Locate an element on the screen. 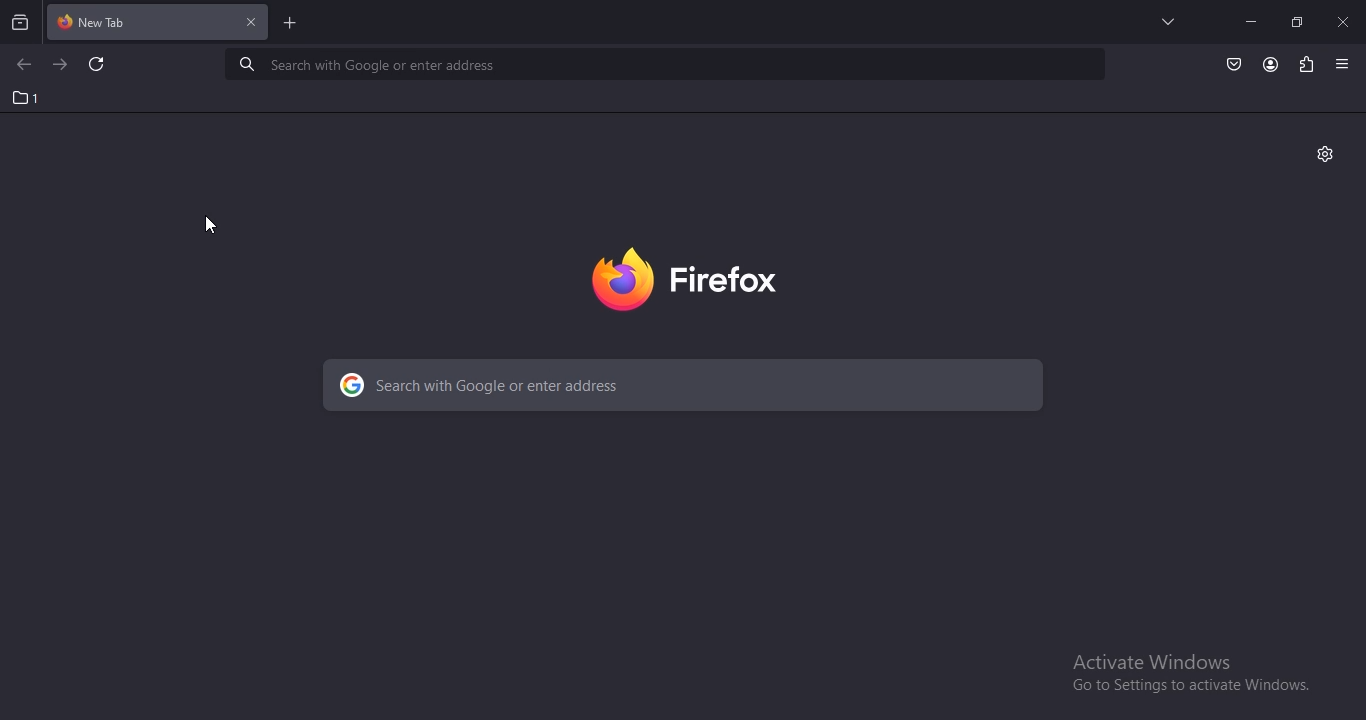  close is located at coordinates (1345, 21).